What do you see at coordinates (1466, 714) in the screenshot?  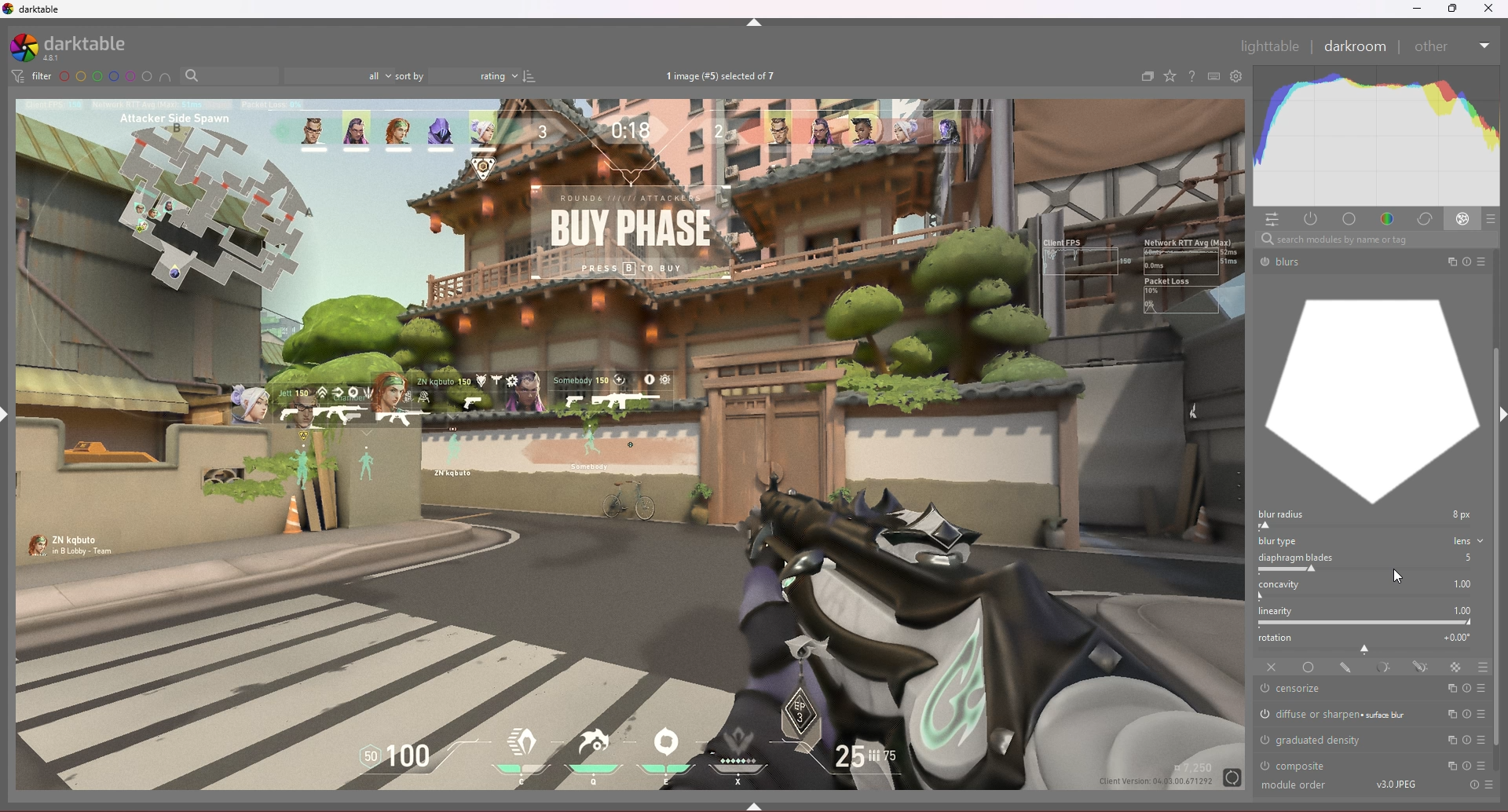 I see `reset` at bounding box center [1466, 714].